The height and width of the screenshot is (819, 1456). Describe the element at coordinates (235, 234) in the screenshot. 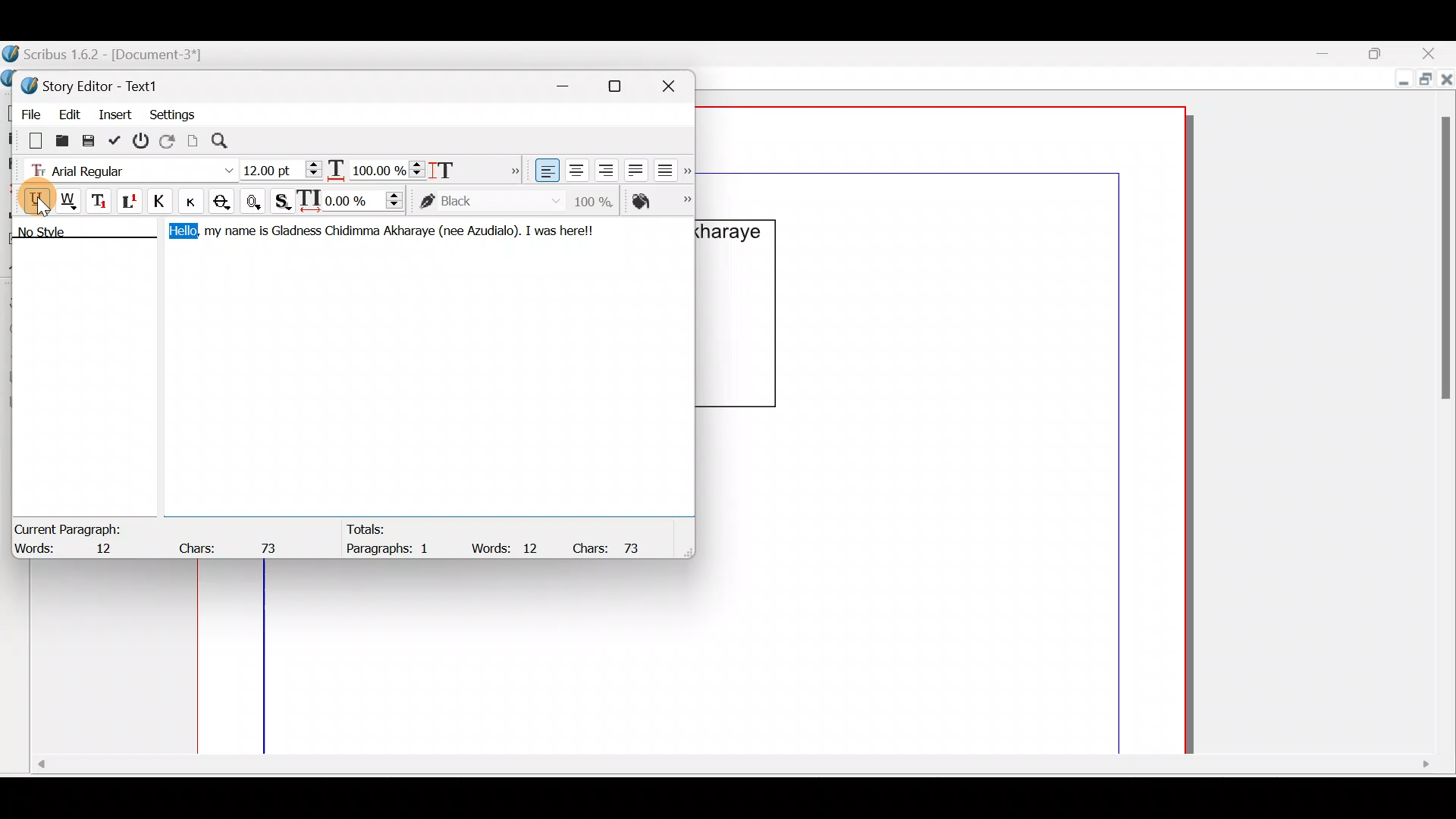

I see `my name is` at that location.